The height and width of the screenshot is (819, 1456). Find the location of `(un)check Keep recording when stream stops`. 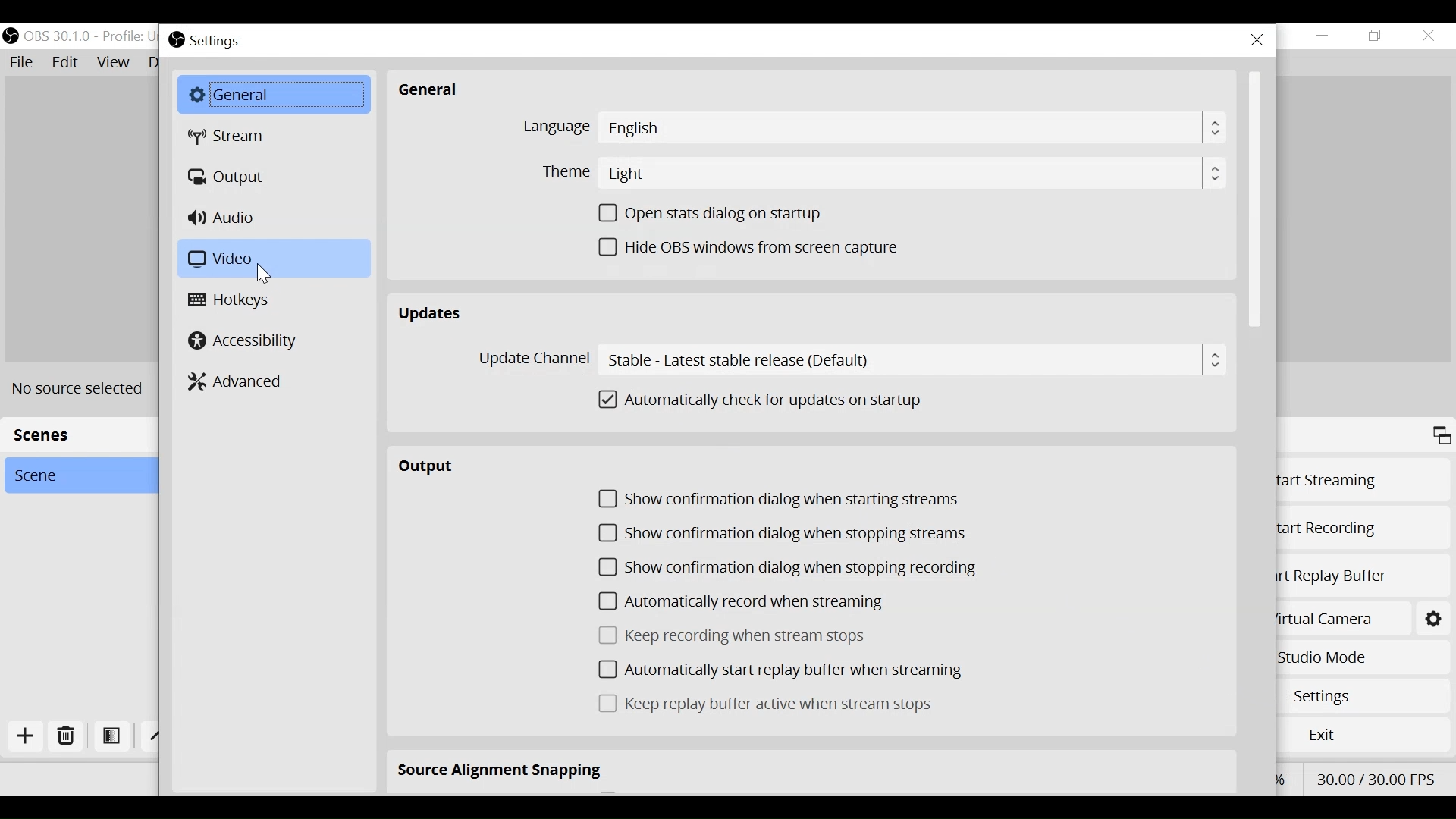

(un)check Keep recording when stream stops is located at coordinates (733, 637).